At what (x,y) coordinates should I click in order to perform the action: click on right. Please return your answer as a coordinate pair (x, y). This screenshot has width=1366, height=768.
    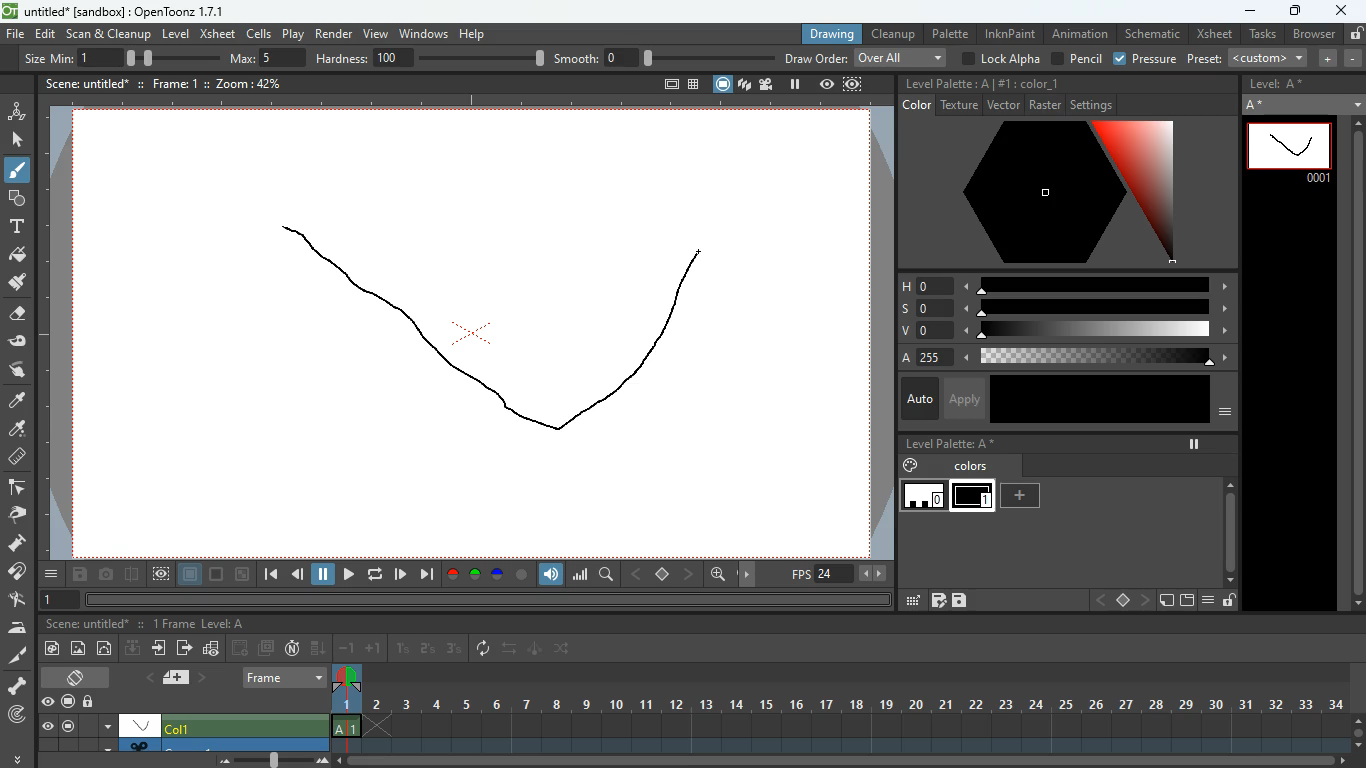
    Looking at the image, I should click on (1144, 601).